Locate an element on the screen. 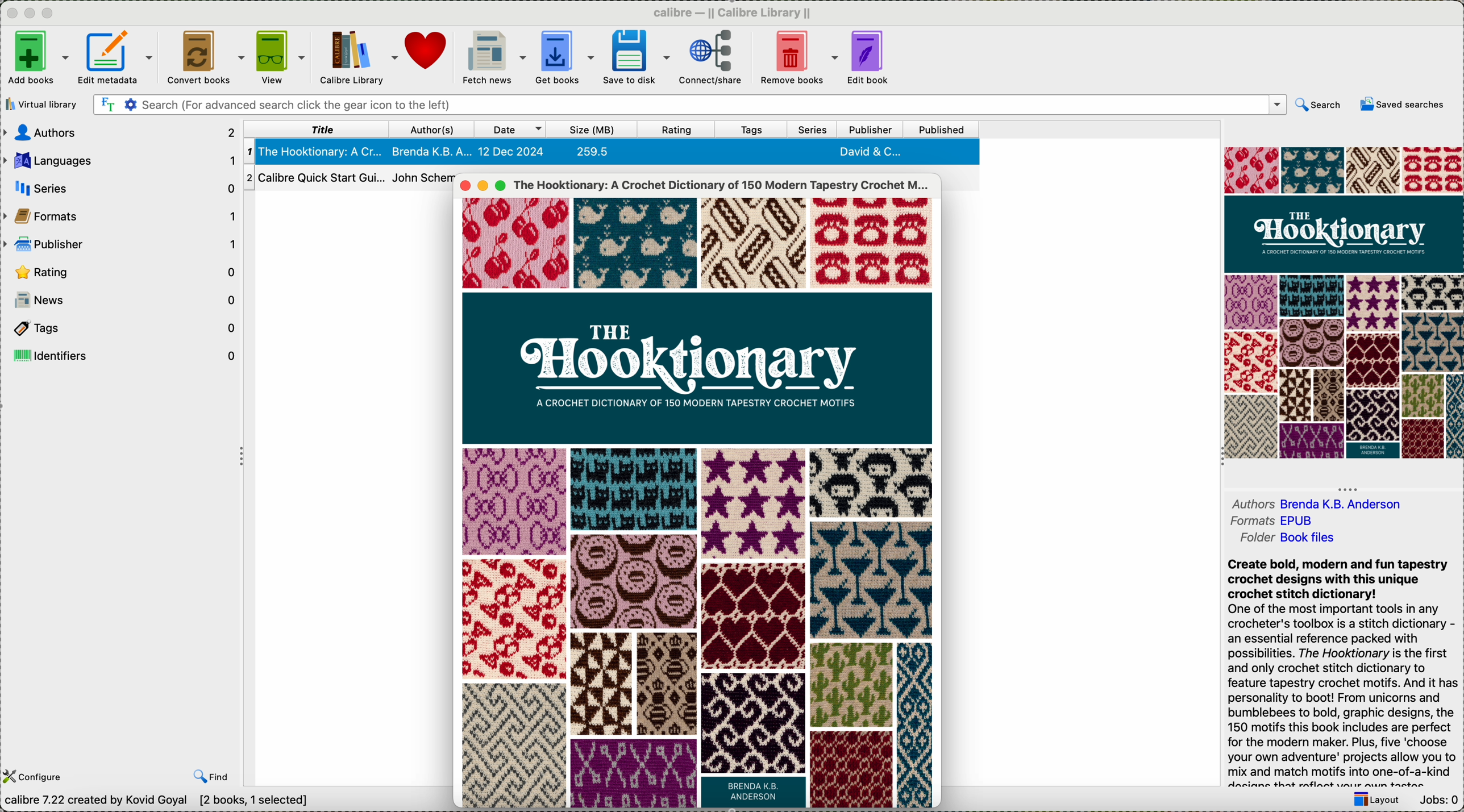  the hooktionary viewer book is located at coordinates (695, 501).